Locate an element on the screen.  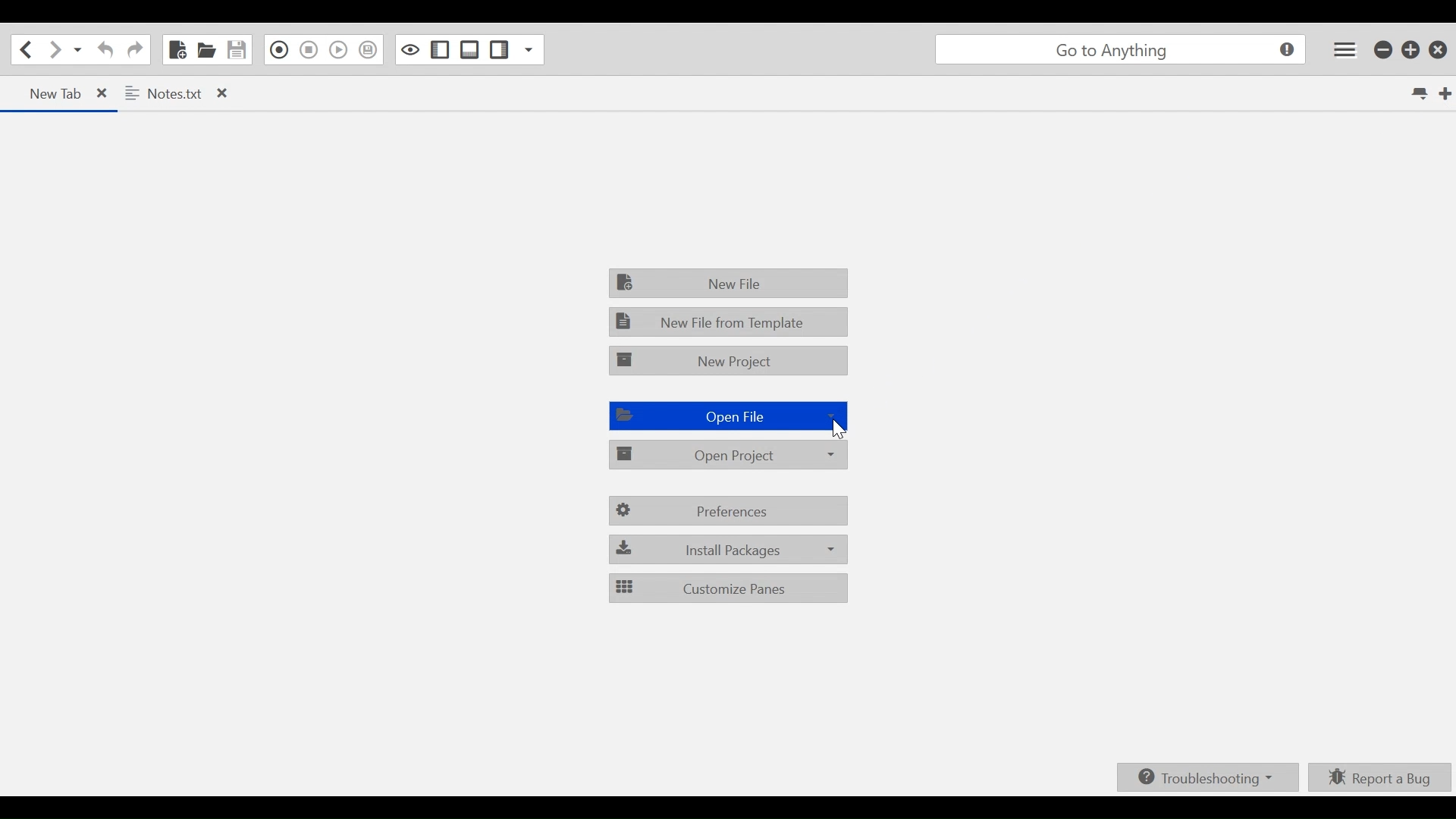
Customize Panes is located at coordinates (727, 586).